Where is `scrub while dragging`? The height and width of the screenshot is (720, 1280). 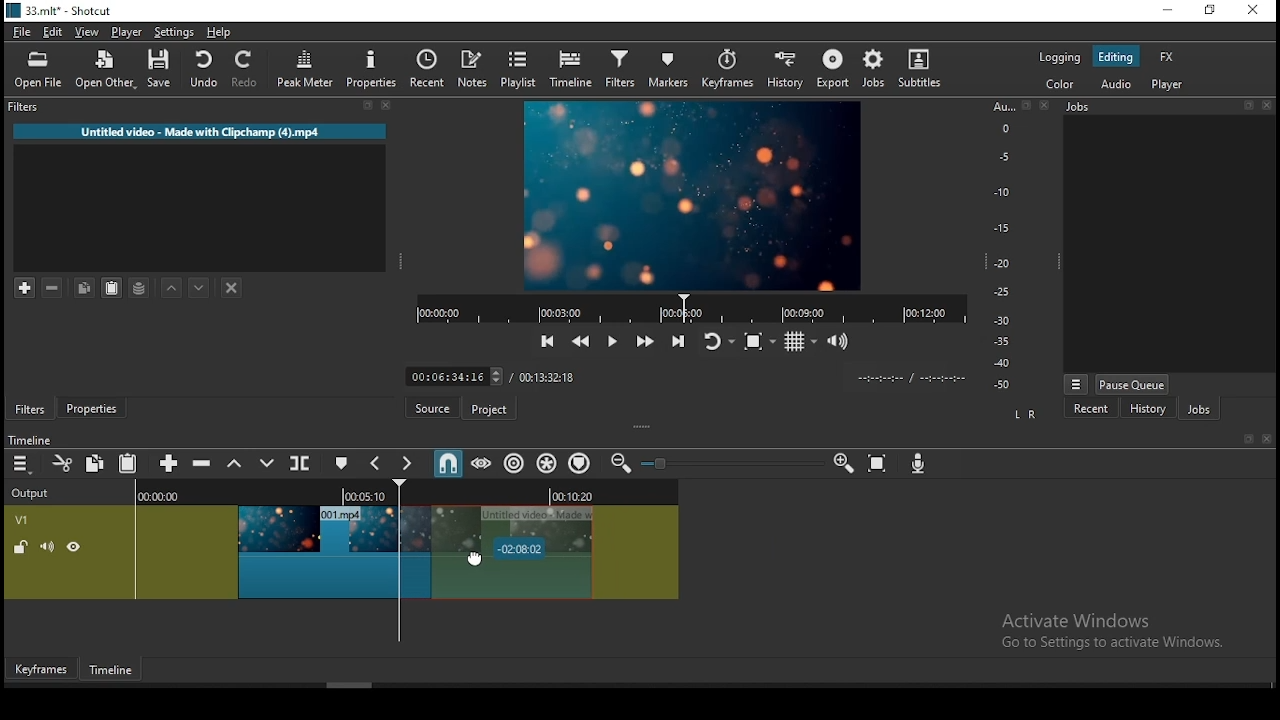
scrub while dragging is located at coordinates (483, 464).